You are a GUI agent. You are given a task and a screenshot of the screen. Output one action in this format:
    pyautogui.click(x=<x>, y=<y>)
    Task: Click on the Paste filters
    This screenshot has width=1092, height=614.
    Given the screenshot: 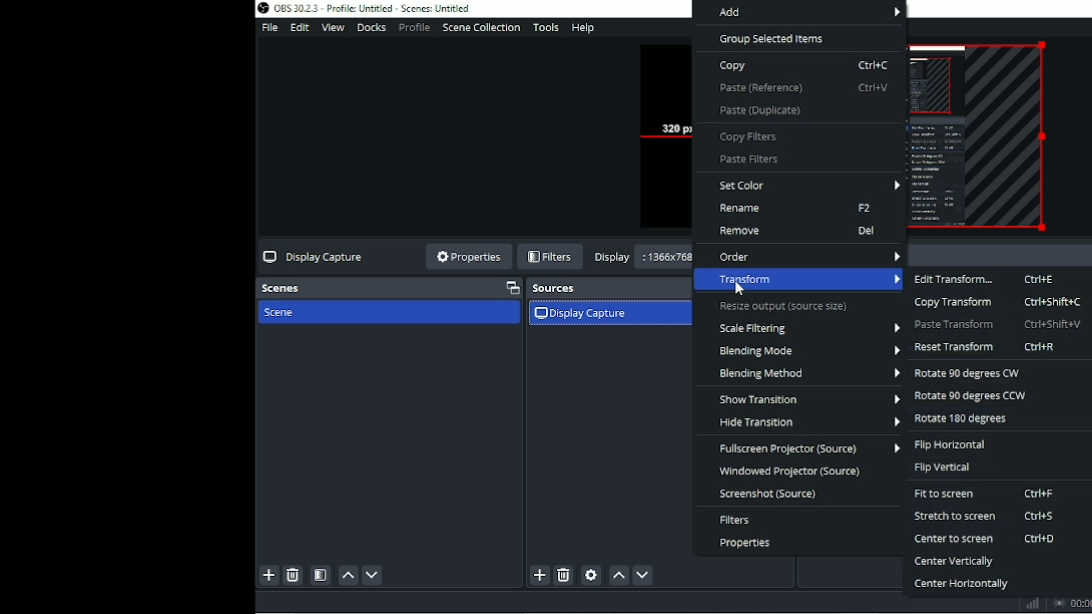 What is the action you would take?
    pyautogui.click(x=750, y=160)
    